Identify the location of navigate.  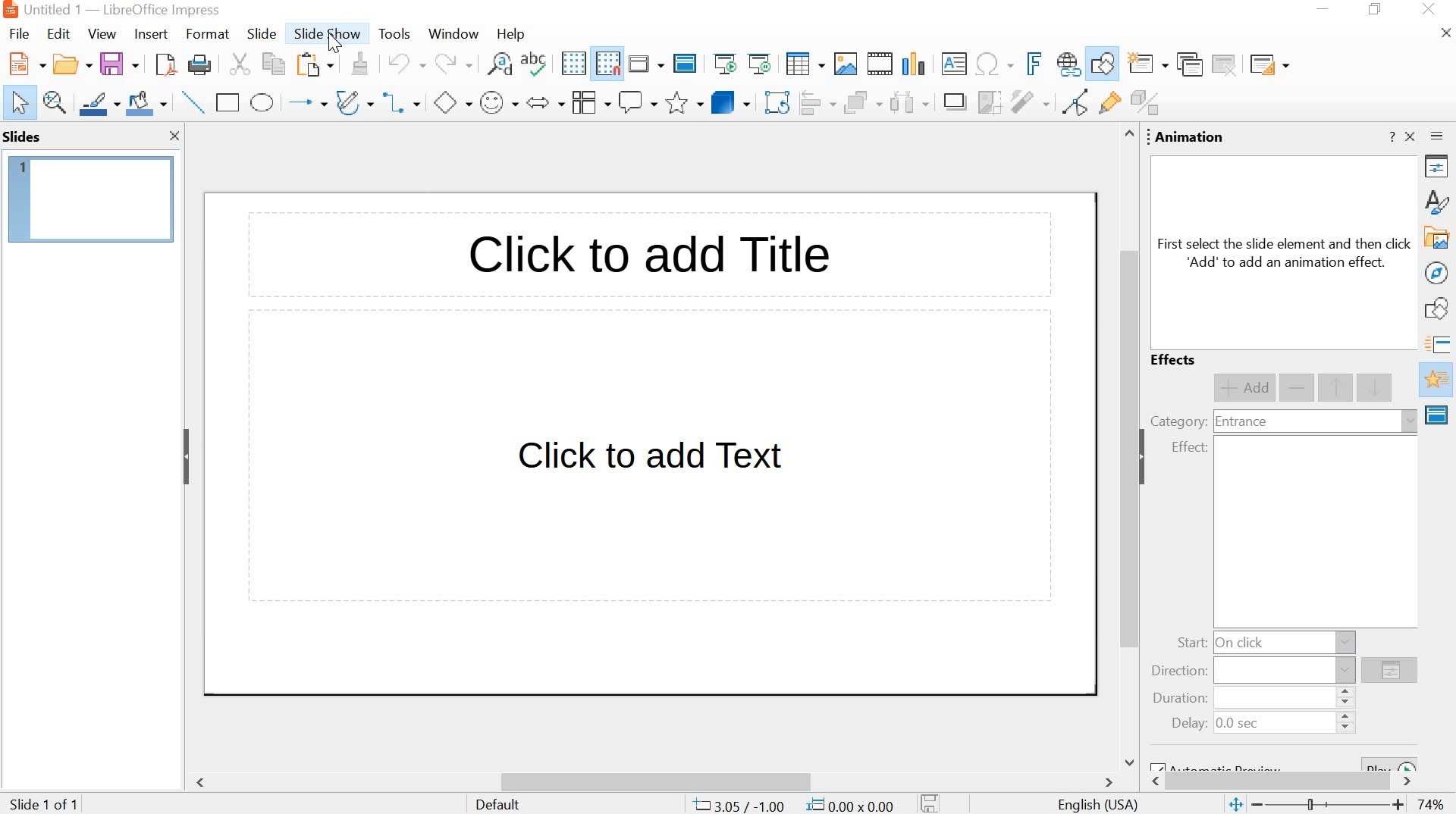
(1438, 273).